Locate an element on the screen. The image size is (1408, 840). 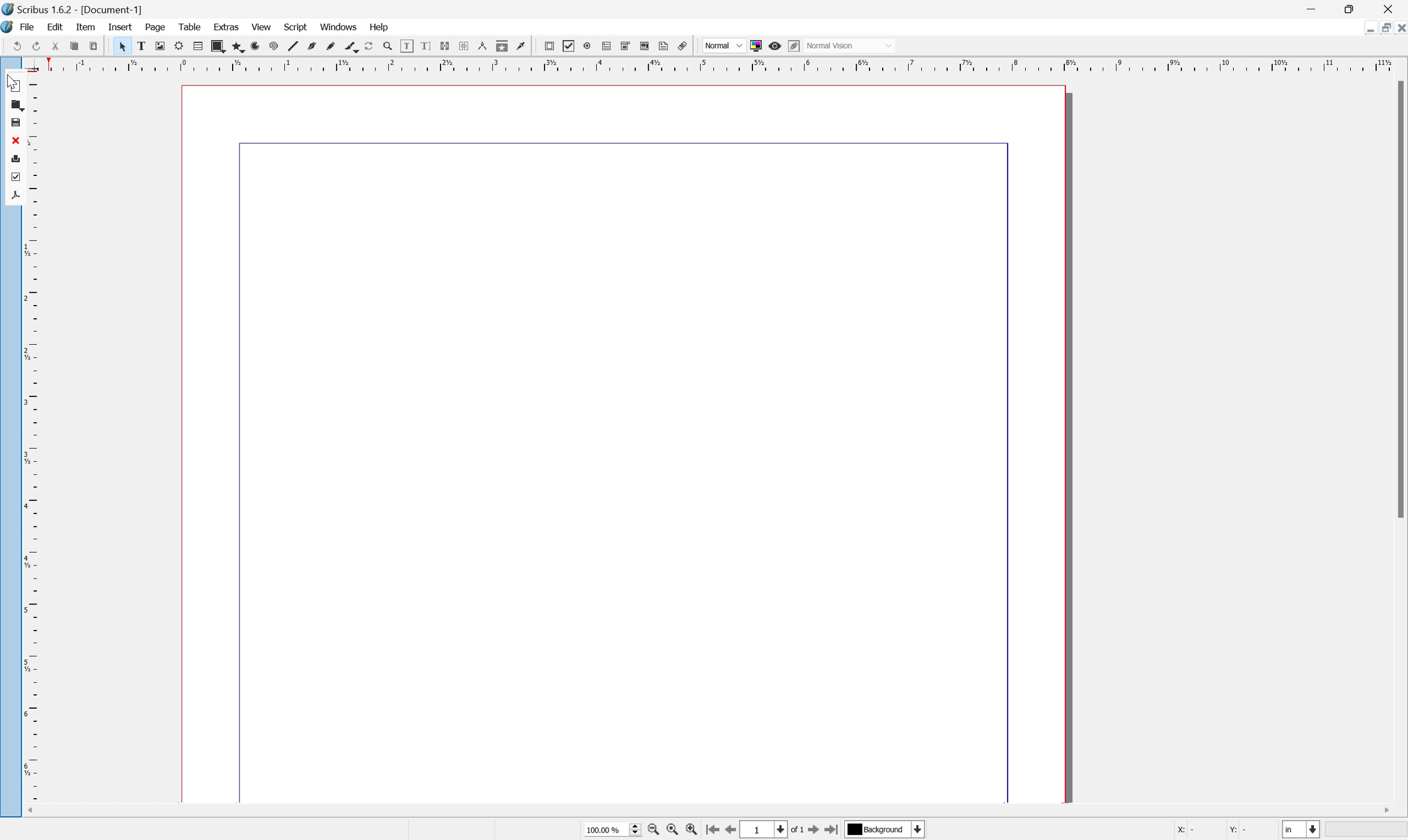
select current page is located at coordinates (770, 830).